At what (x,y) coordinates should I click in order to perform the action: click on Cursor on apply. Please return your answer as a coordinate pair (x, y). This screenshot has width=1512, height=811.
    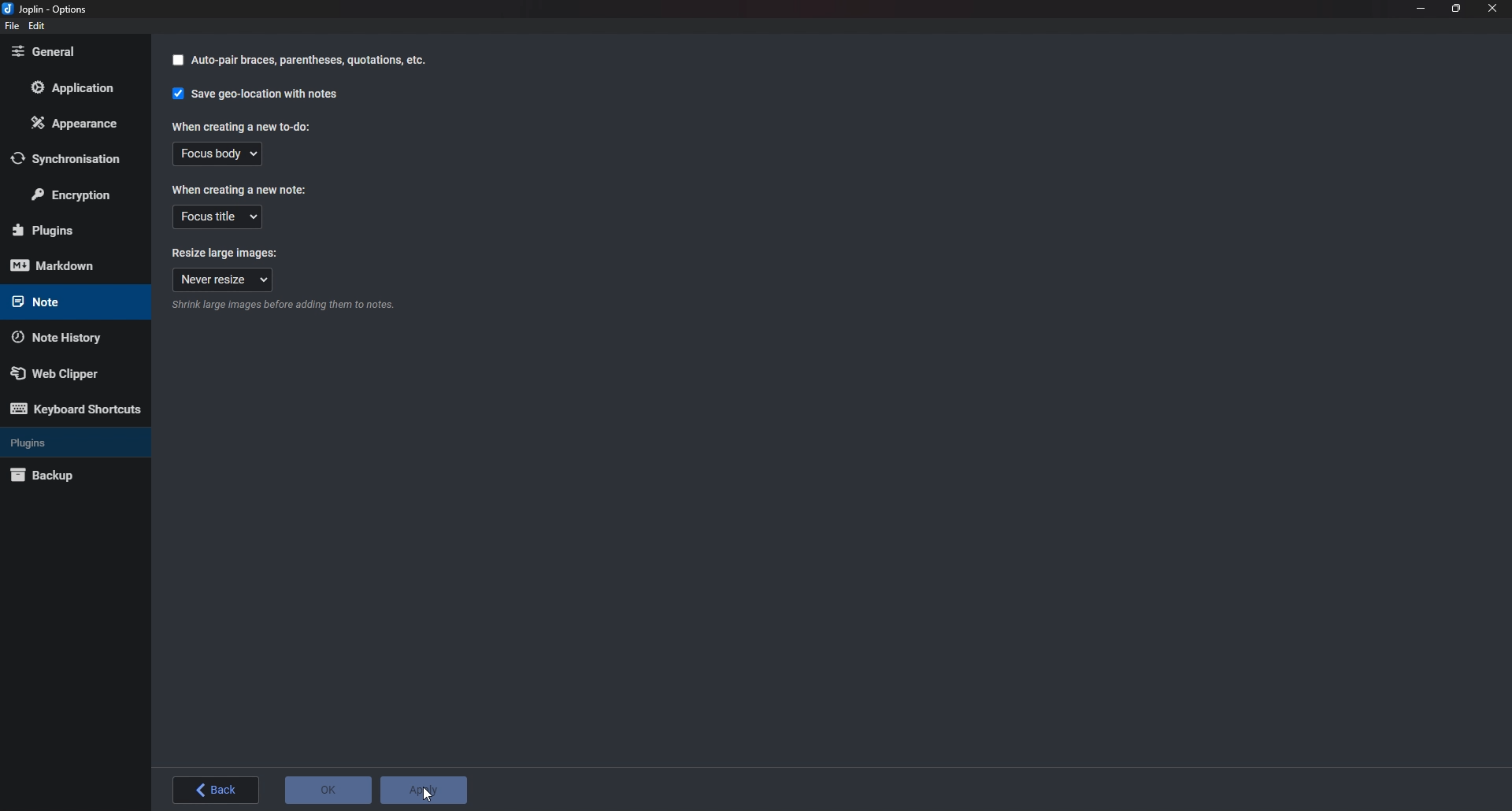
    Looking at the image, I should click on (426, 791).